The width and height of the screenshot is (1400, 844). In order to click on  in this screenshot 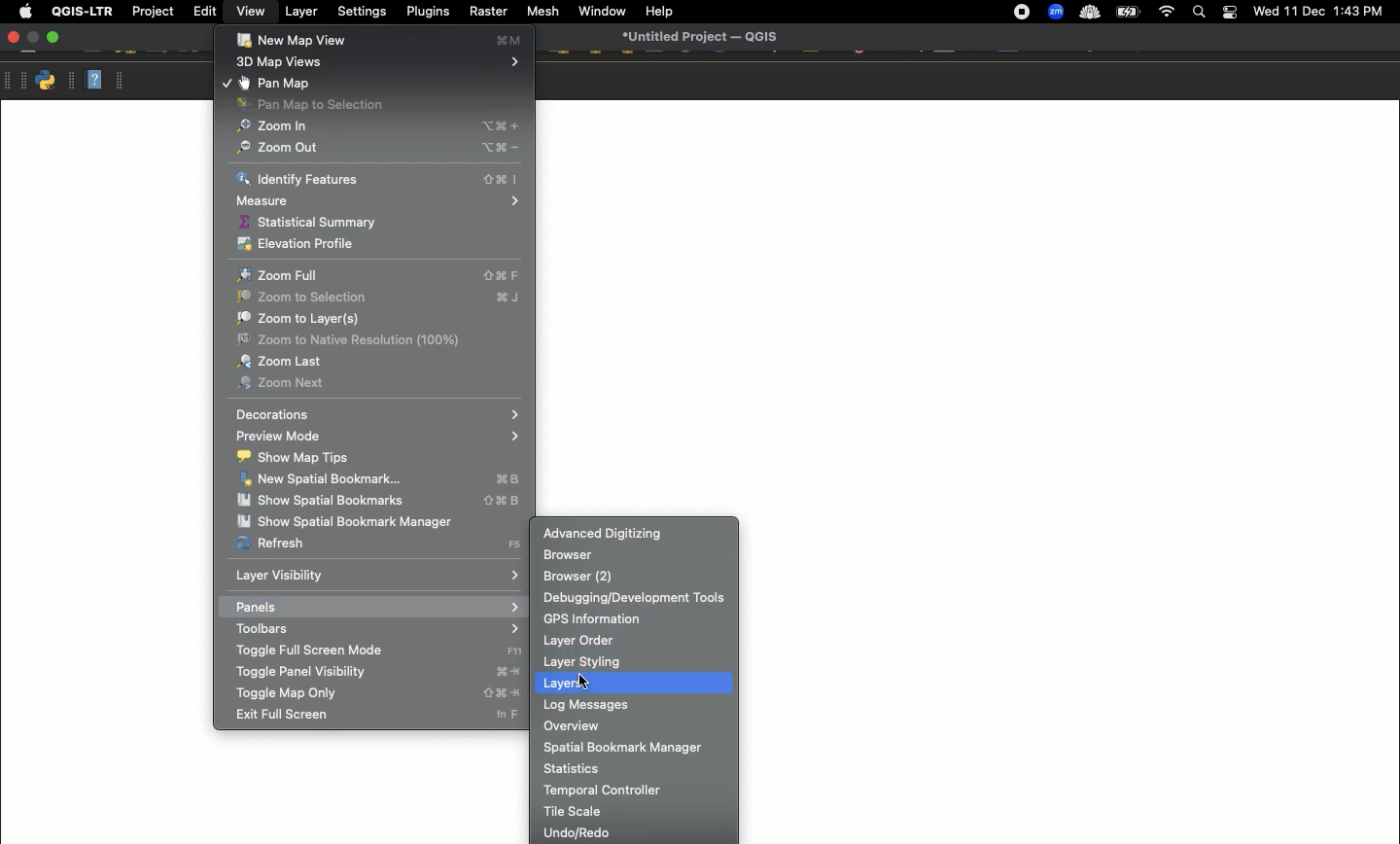, I will do `click(1056, 12)`.